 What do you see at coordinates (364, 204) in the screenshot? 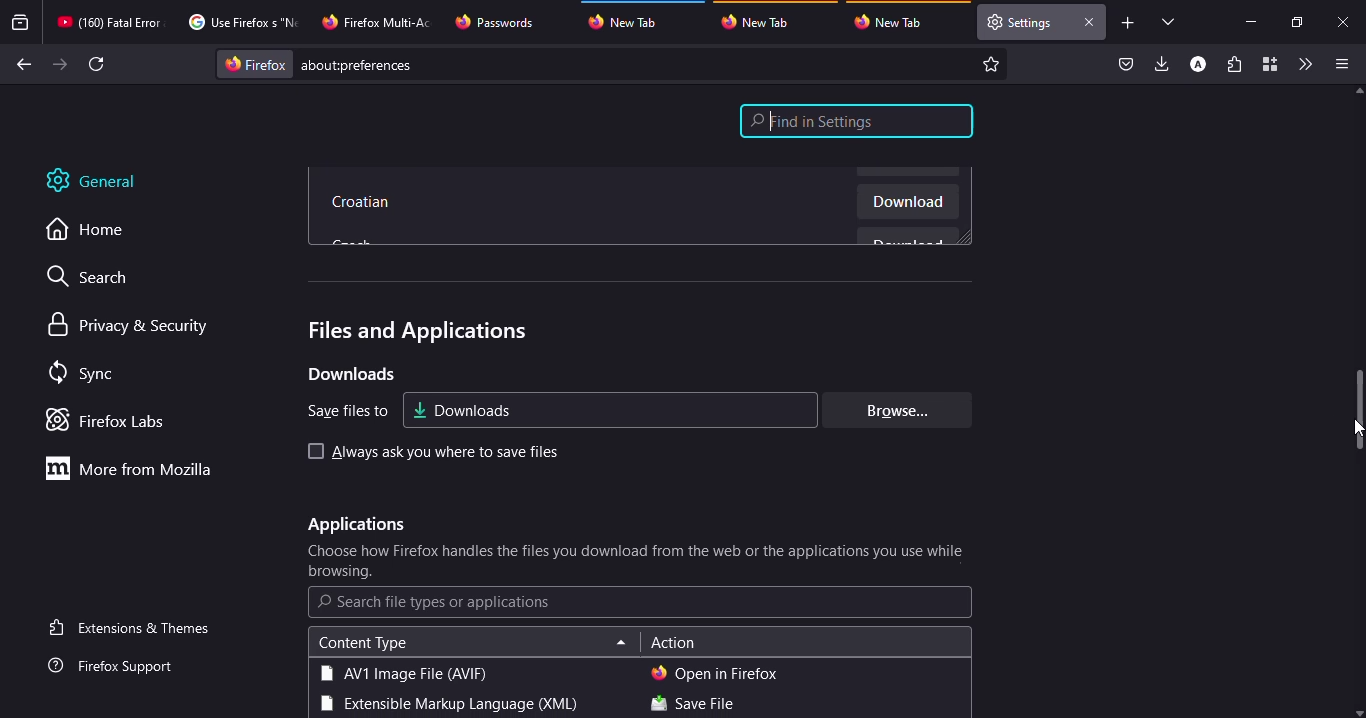
I see `croatian` at bounding box center [364, 204].